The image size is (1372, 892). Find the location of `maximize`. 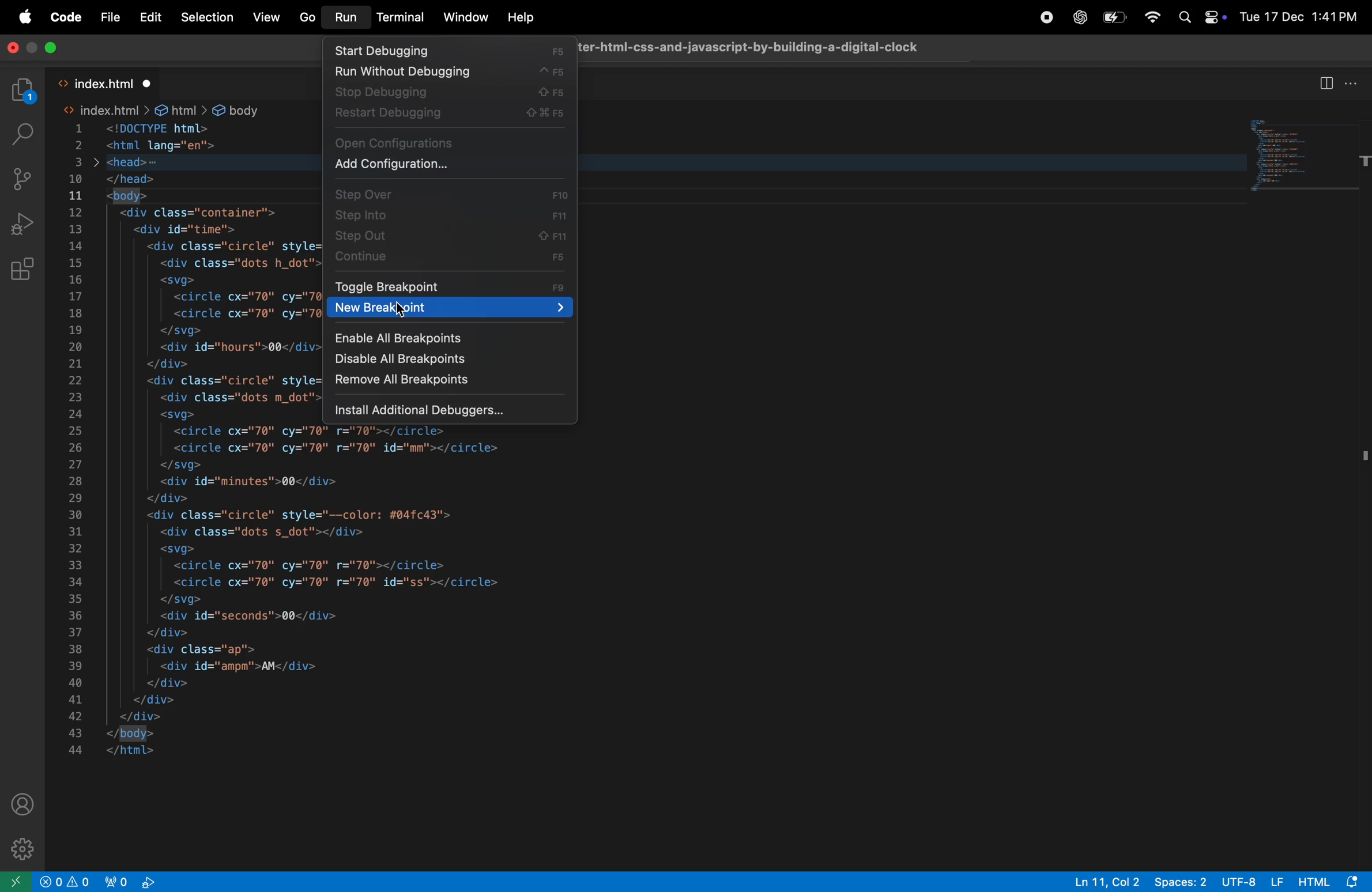

maximize is located at coordinates (55, 49).